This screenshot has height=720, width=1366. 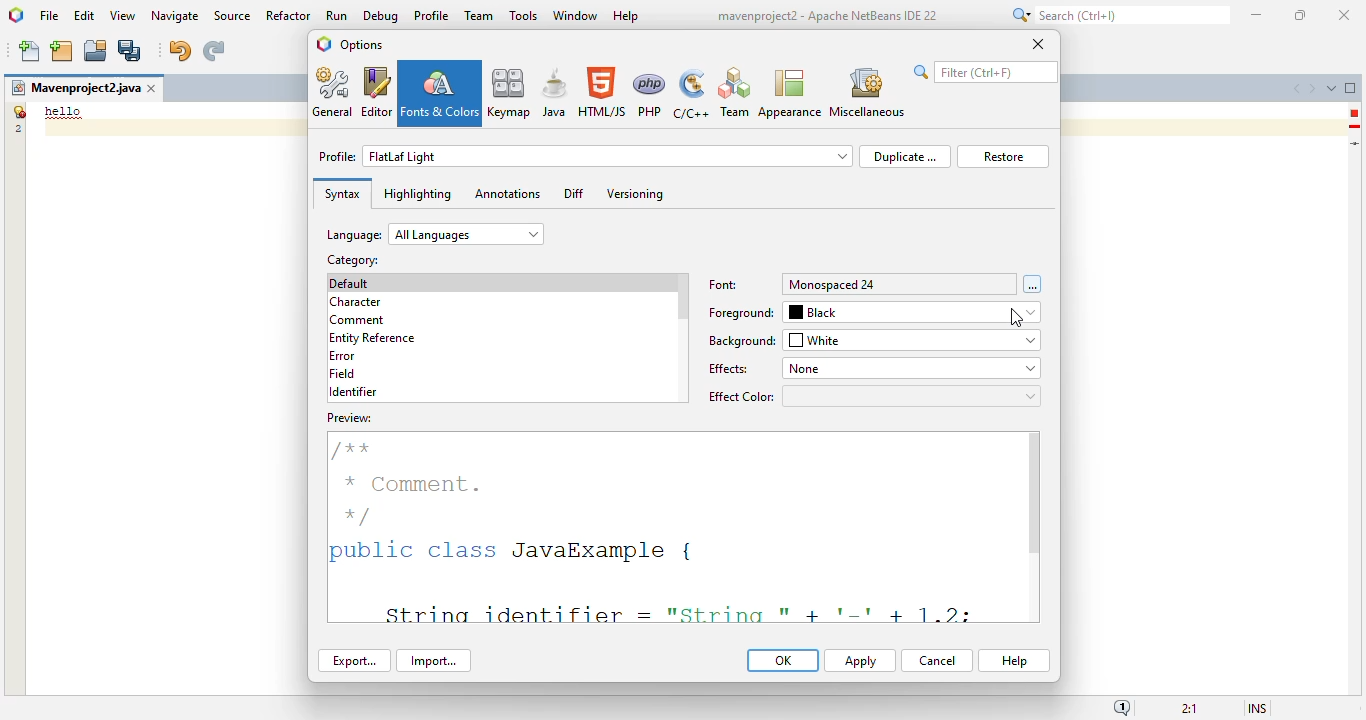 I want to click on none, so click(x=910, y=368).